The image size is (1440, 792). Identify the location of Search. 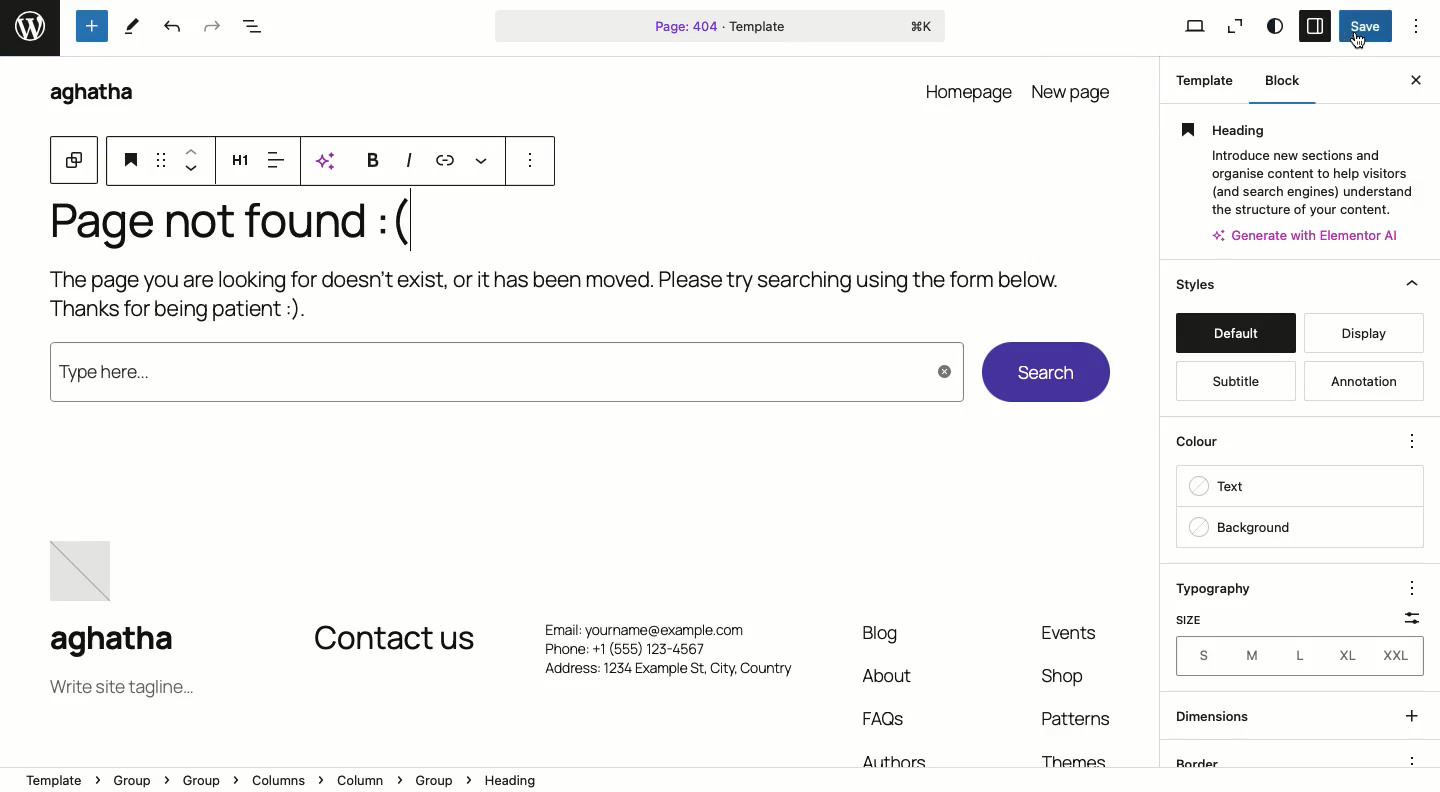
(1044, 370).